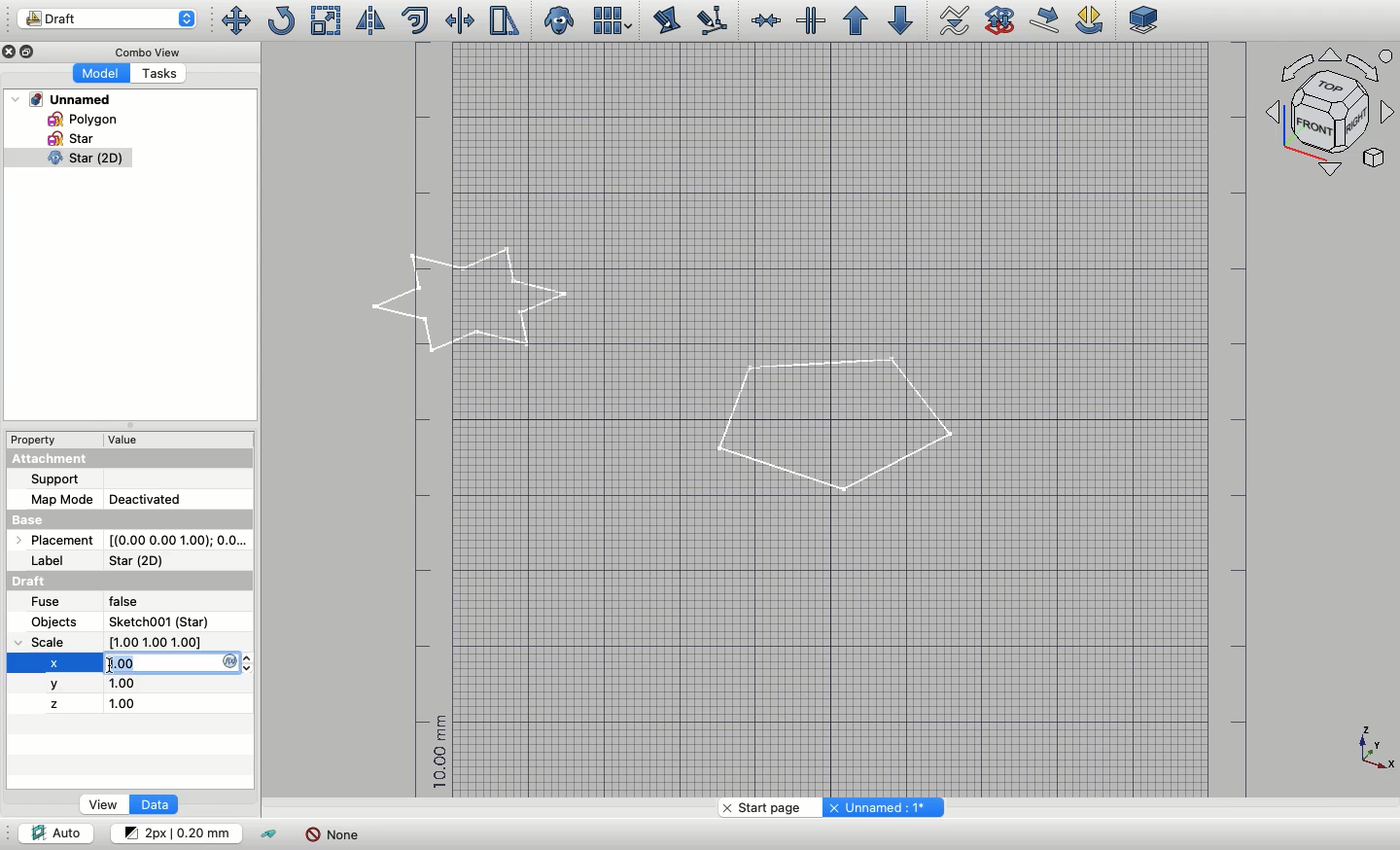 The width and height of the screenshot is (1400, 850). What do you see at coordinates (881, 807) in the screenshot?
I see `Unnamed: 1` at bounding box center [881, 807].